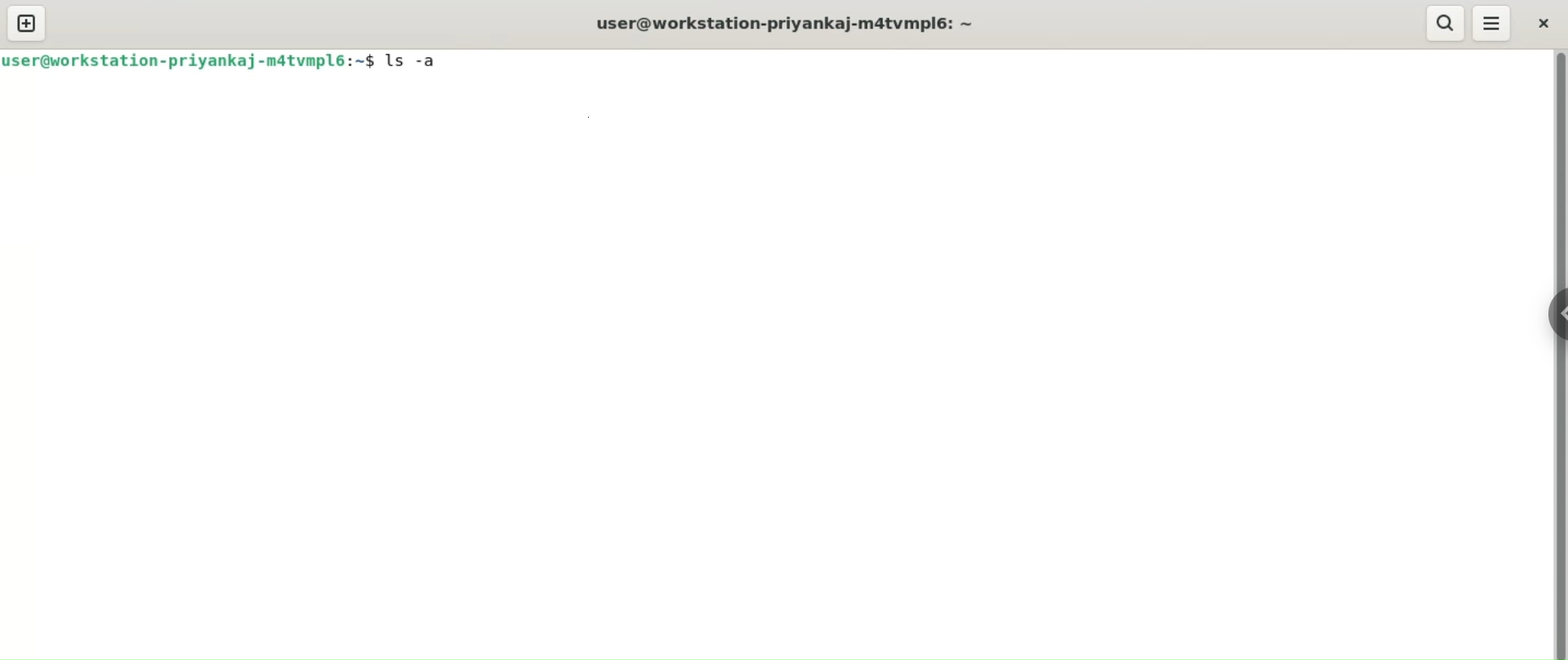 The width and height of the screenshot is (1568, 660). I want to click on close, so click(1540, 21).